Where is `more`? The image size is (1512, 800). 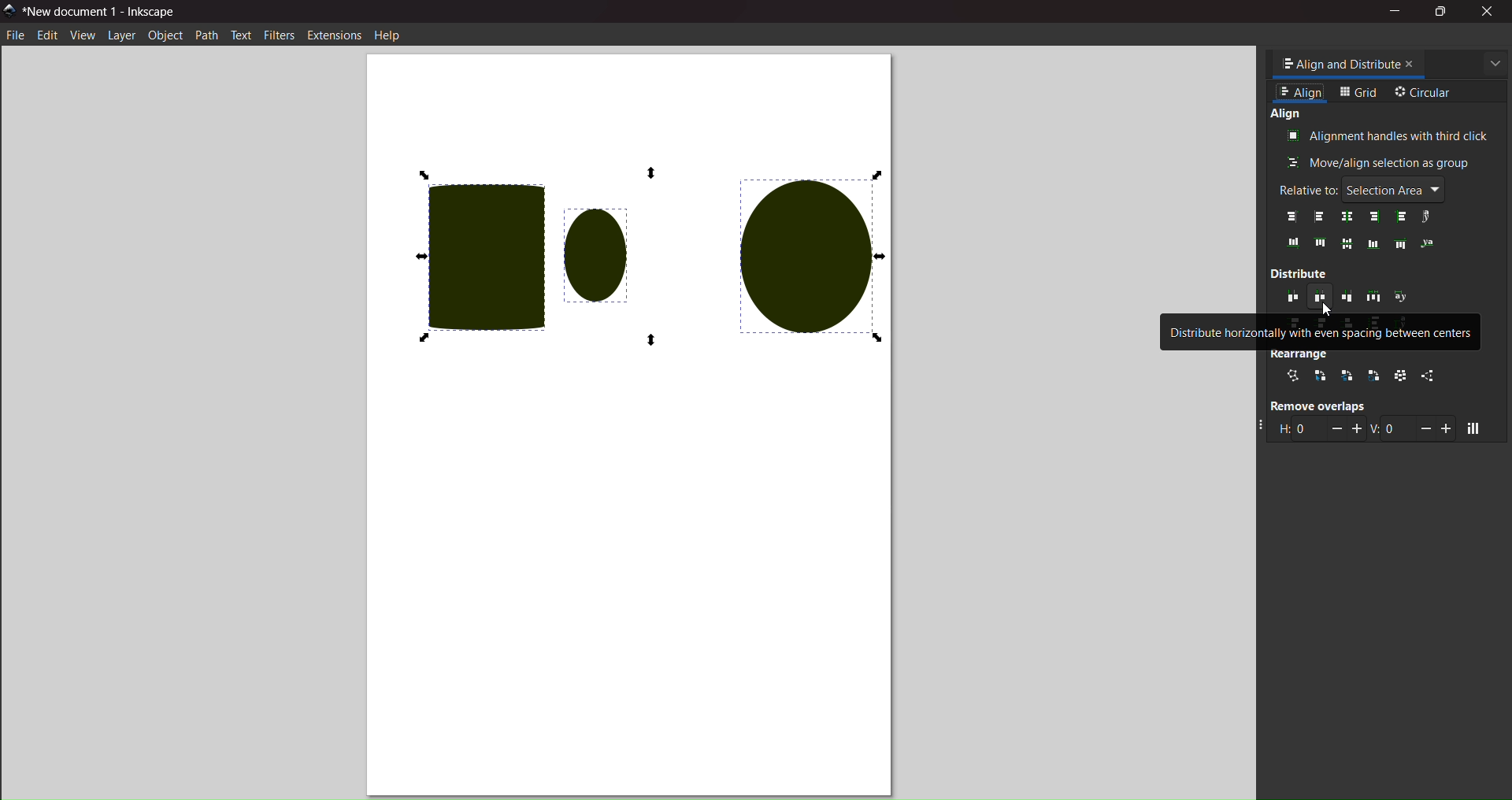 more is located at coordinates (1498, 64).